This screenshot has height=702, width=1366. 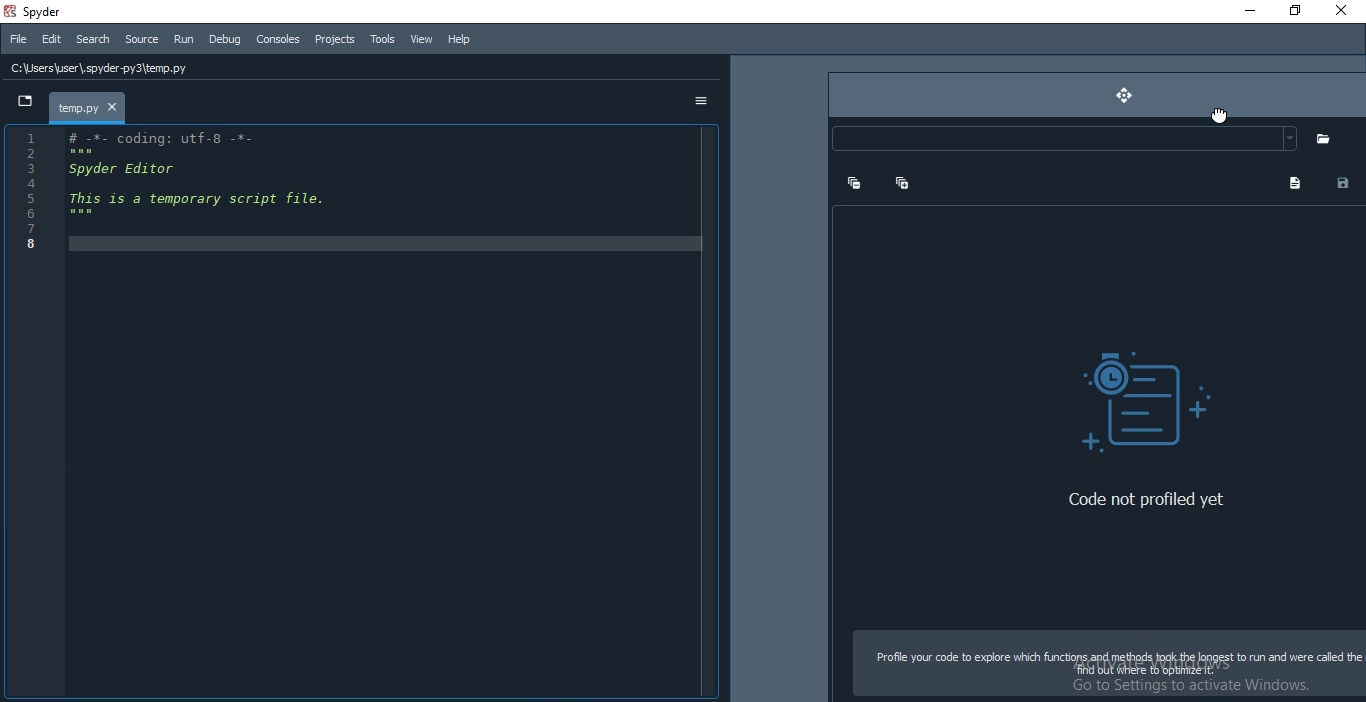 I want to click on Debug, so click(x=225, y=40).